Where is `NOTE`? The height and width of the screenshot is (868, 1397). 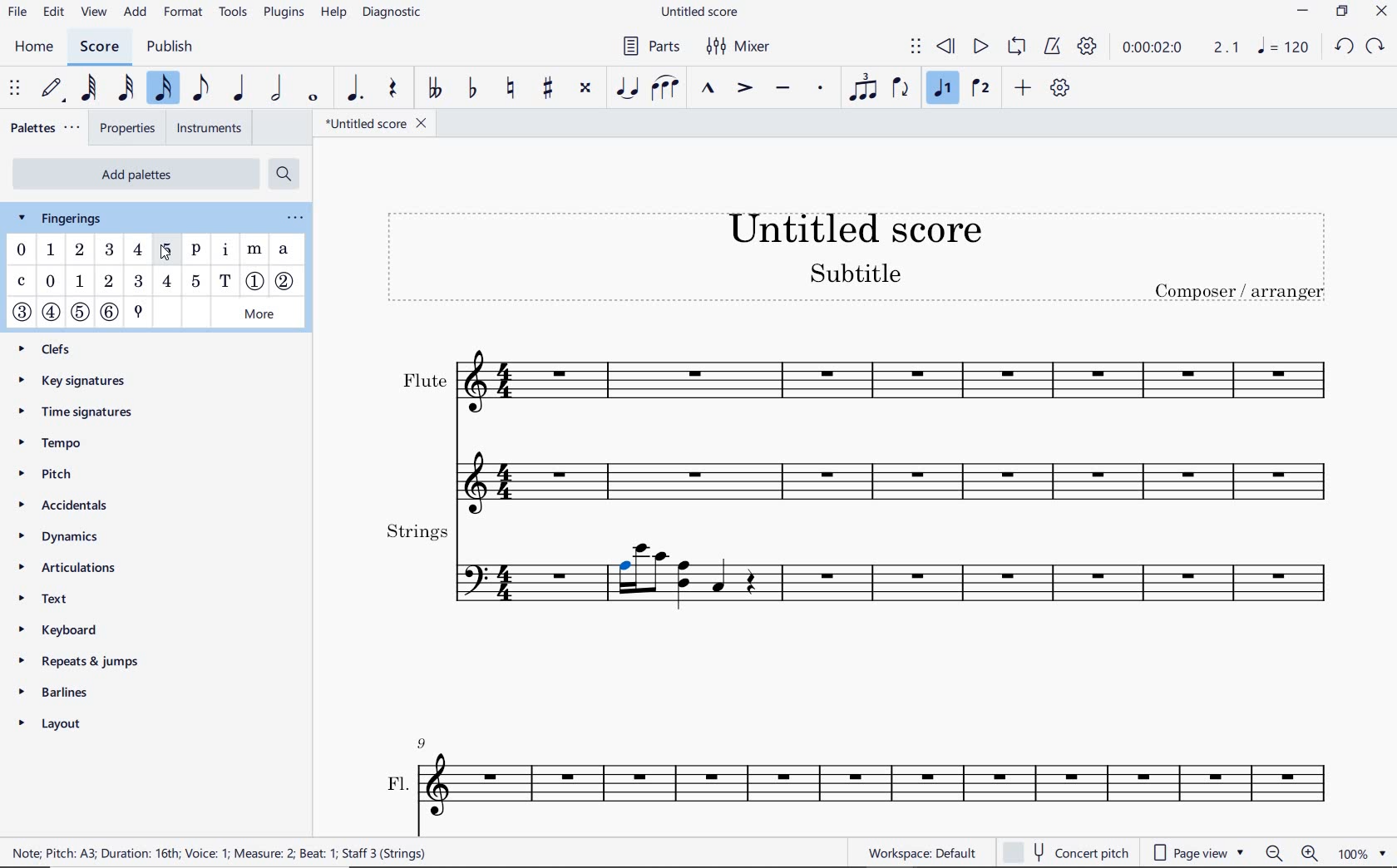 NOTE is located at coordinates (1283, 48).